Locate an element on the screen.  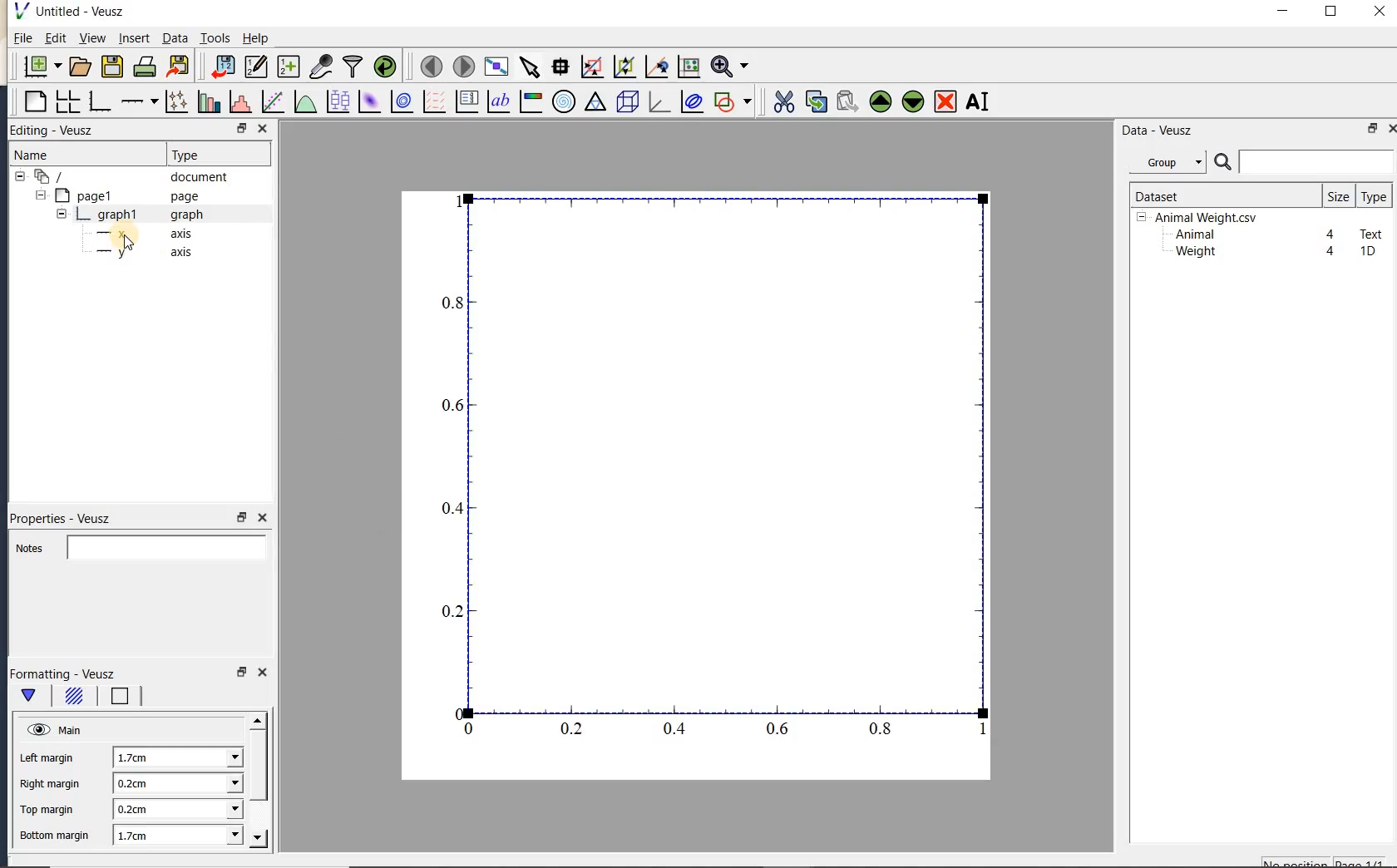
Data is located at coordinates (175, 37).